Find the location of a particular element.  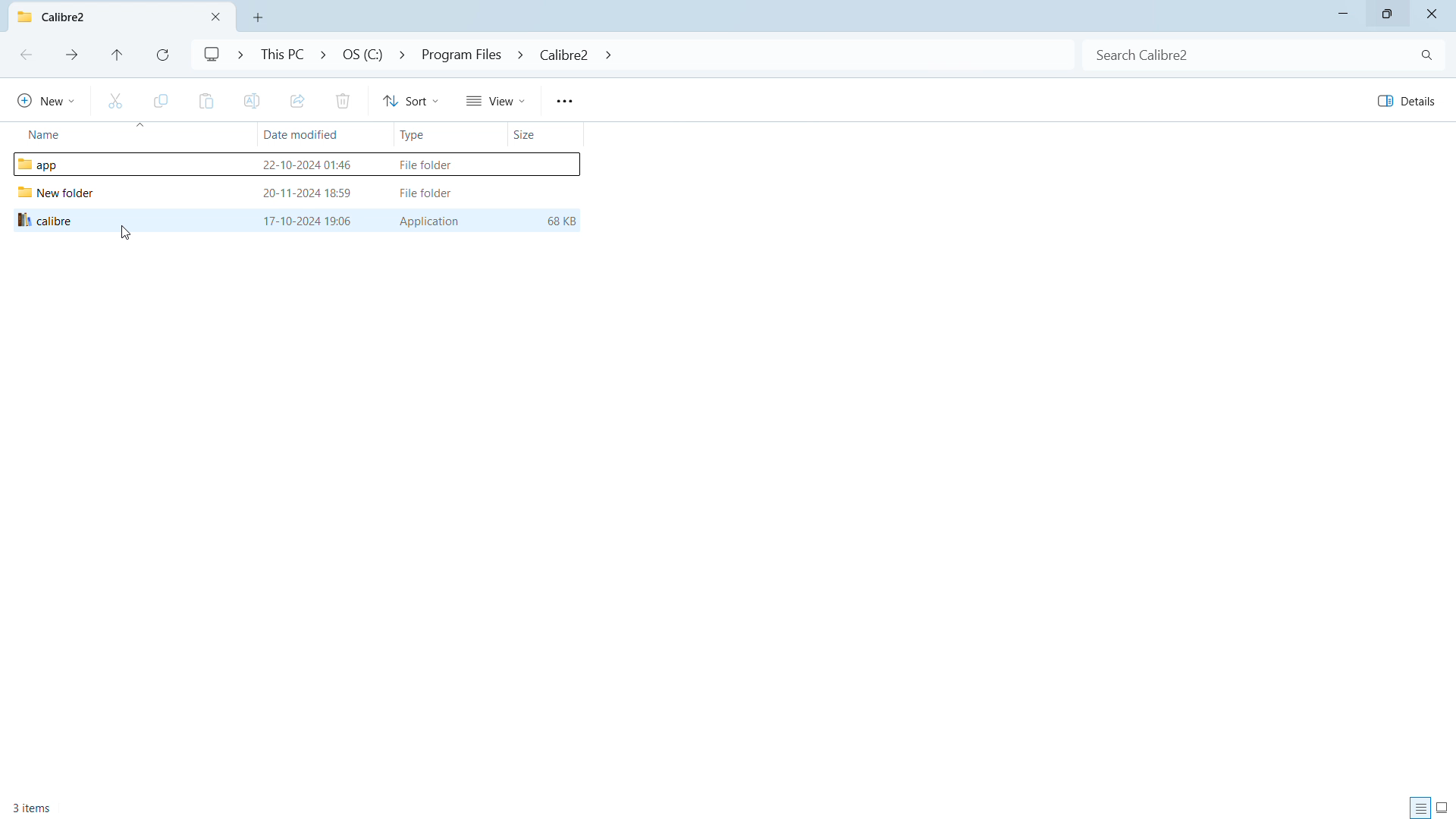

sort by date modified is located at coordinates (325, 134).